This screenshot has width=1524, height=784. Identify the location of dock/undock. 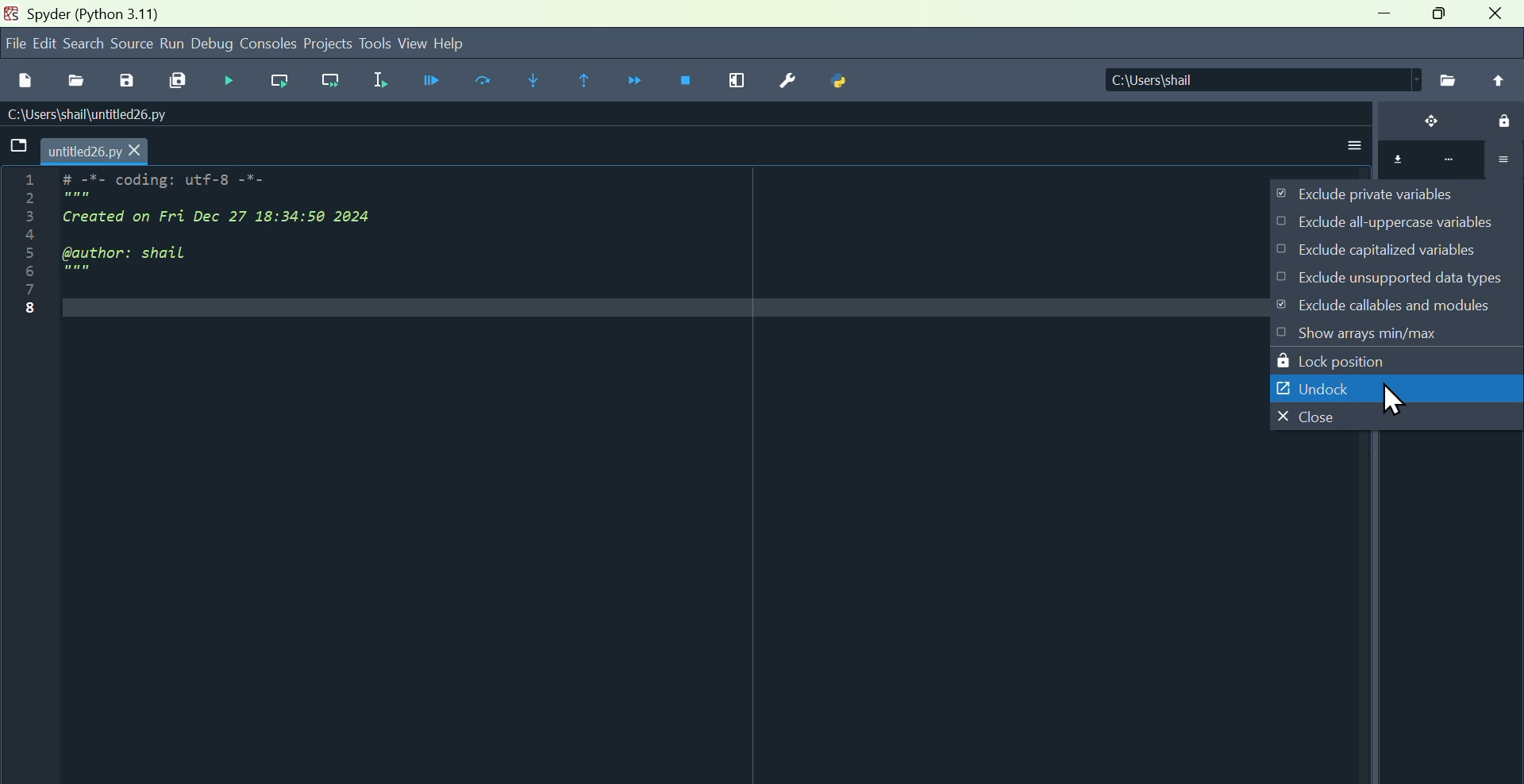
(1421, 123).